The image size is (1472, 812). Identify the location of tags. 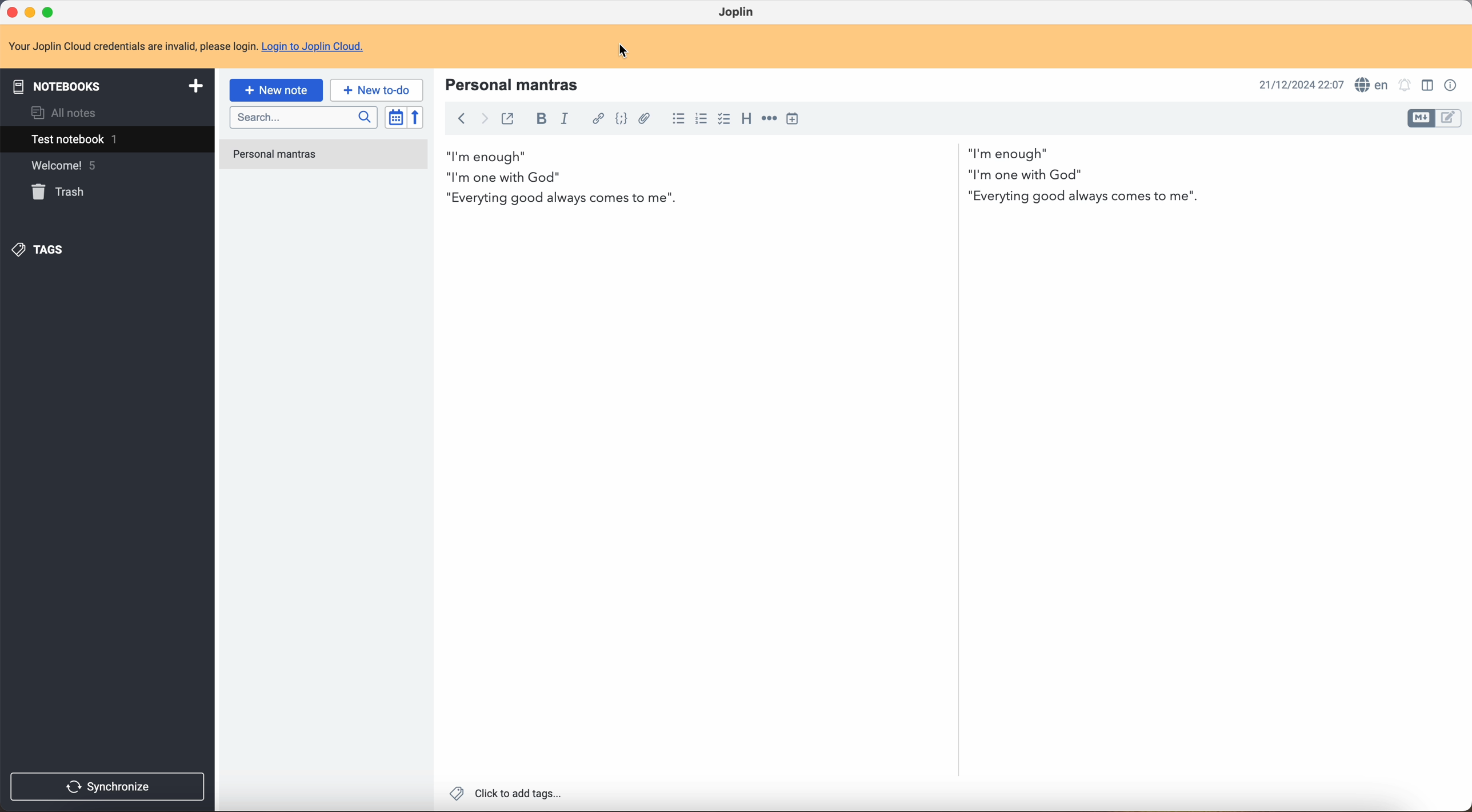
(43, 252).